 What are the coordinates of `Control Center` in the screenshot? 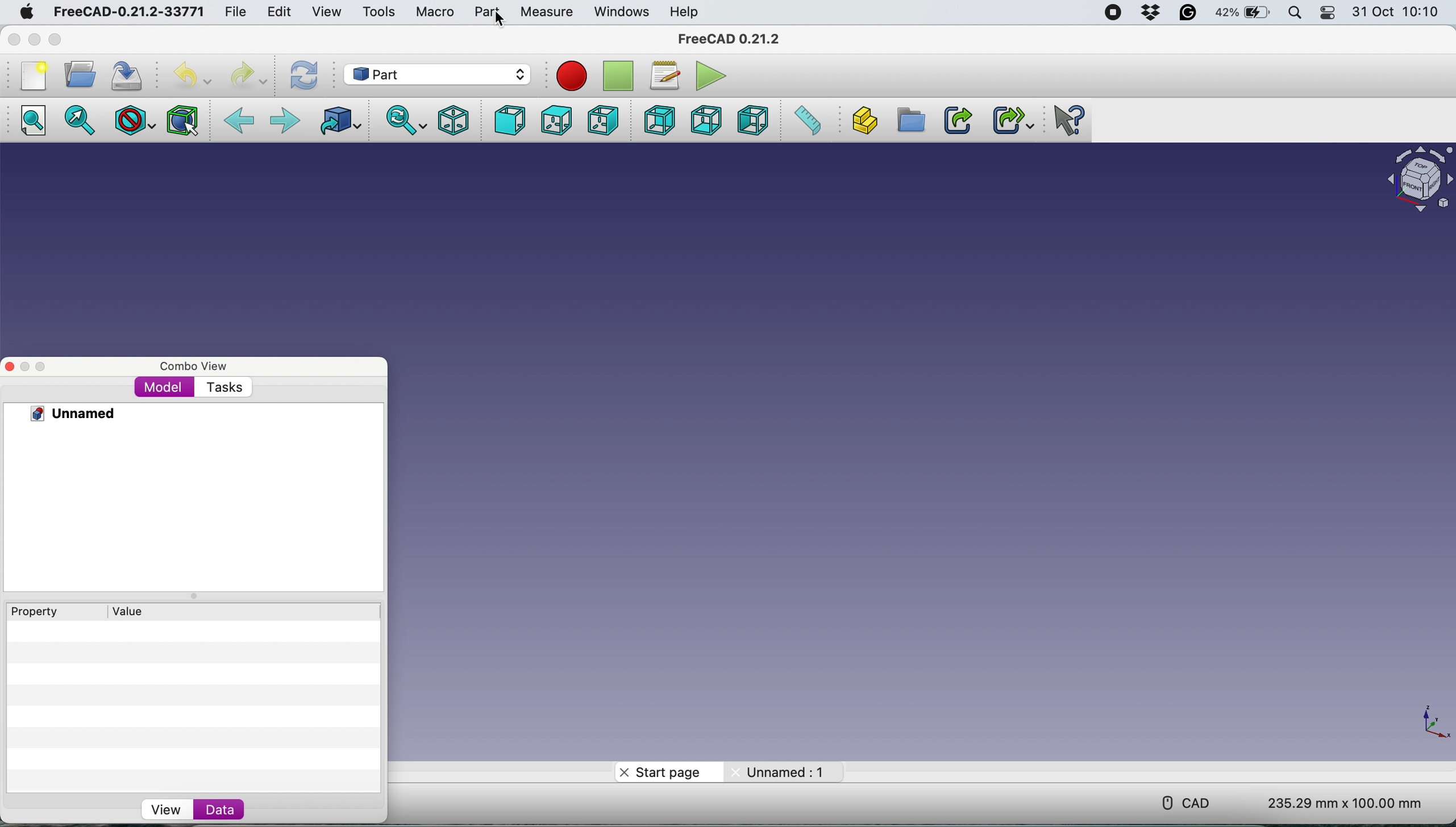 It's located at (1327, 12).